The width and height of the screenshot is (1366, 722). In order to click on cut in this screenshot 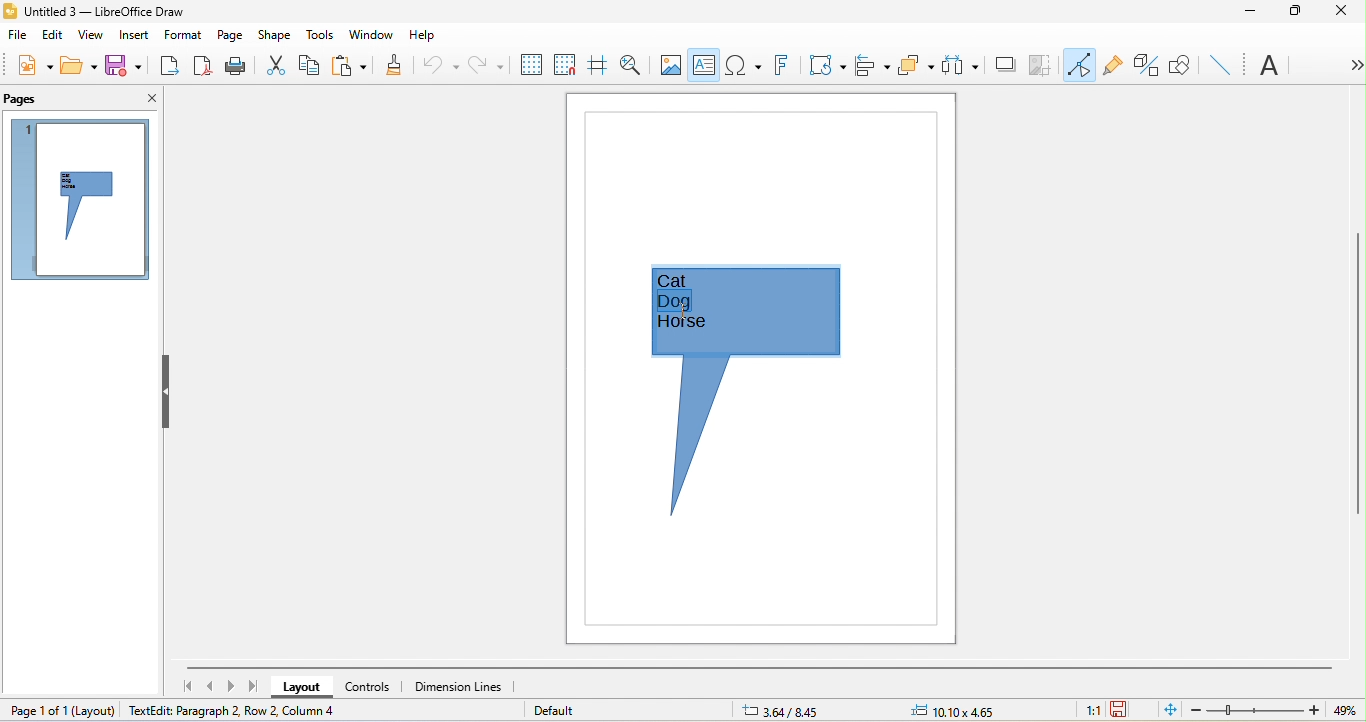, I will do `click(274, 65)`.